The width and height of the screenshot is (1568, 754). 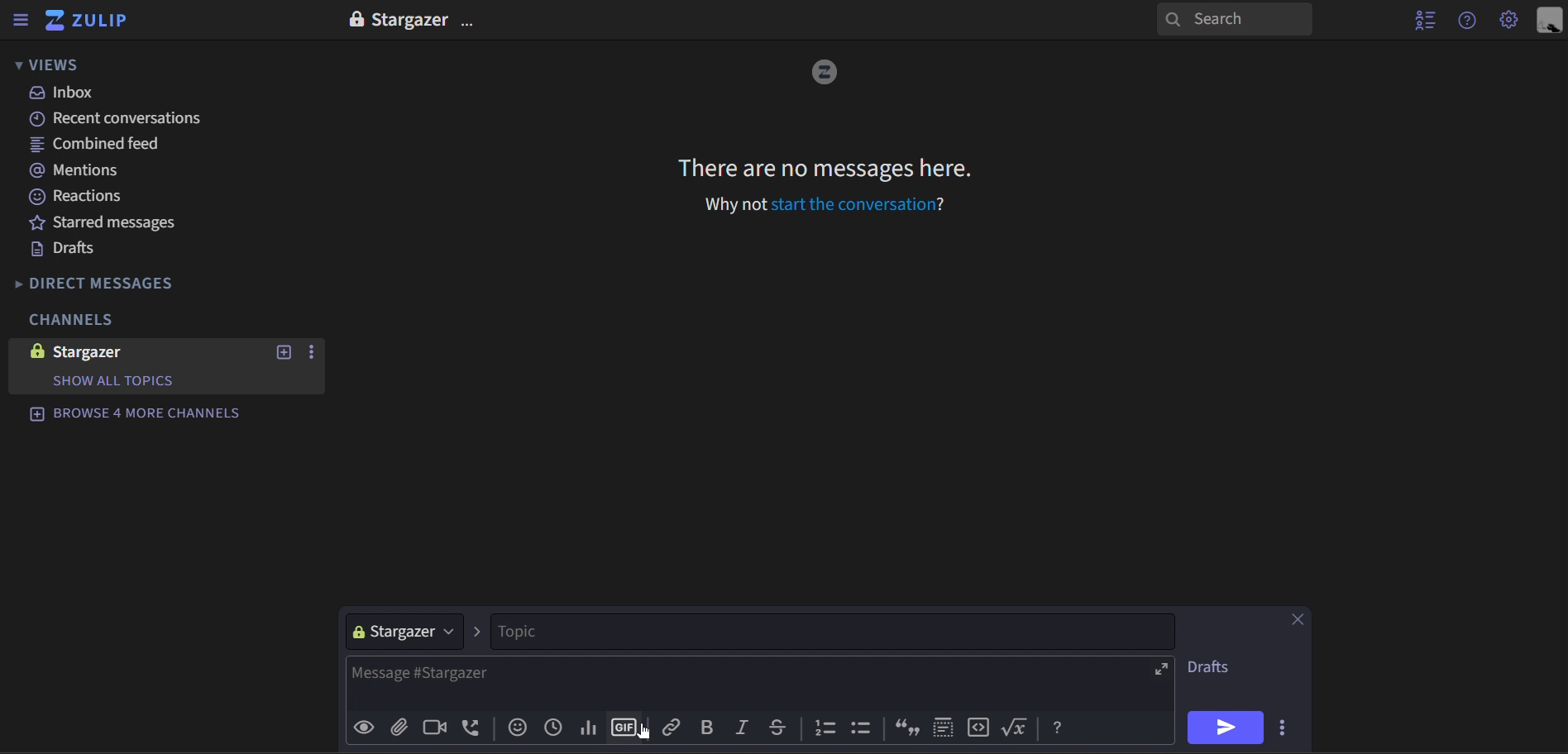 What do you see at coordinates (1160, 669) in the screenshot?
I see `expand ` at bounding box center [1160, 669].